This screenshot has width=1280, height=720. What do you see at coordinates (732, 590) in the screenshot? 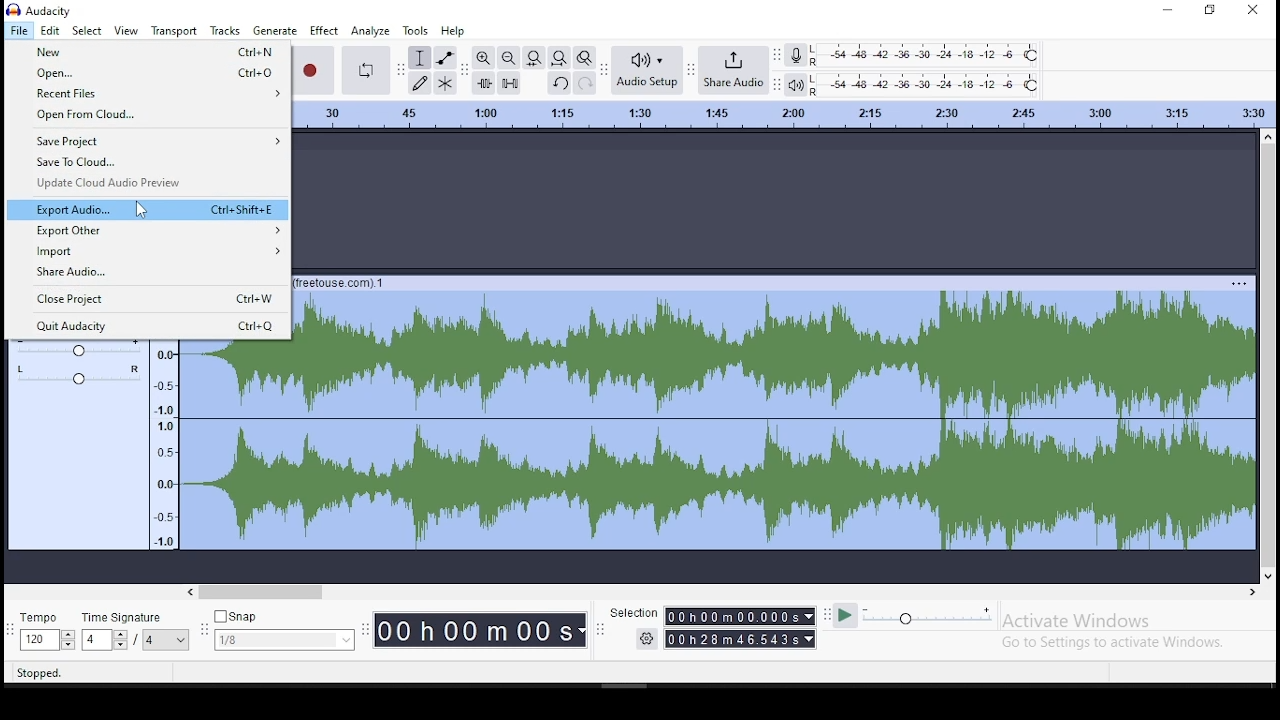
I see `scroll bar` at bounding box center [732, 590].